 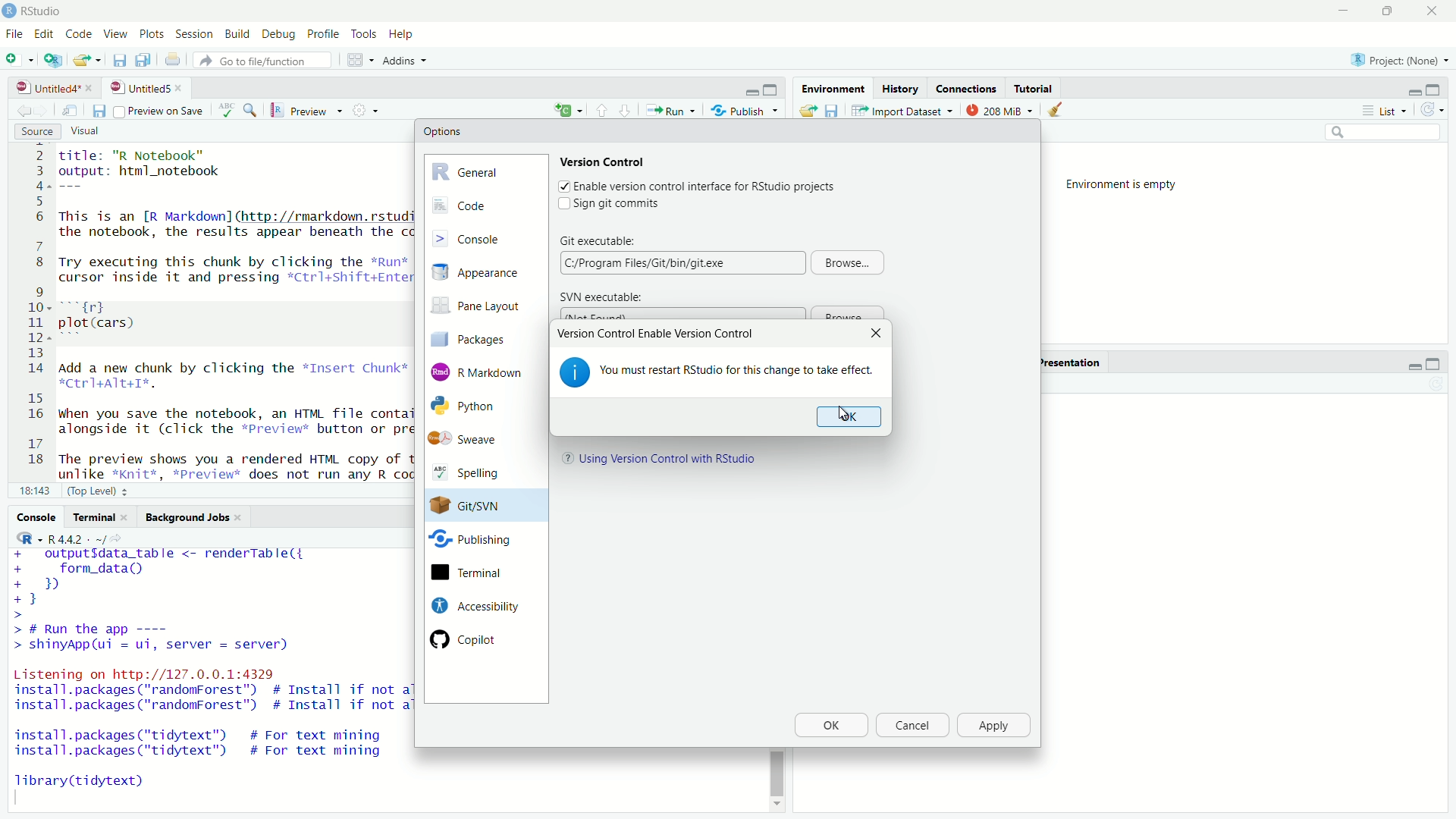 What do you see at coordinates (562, 186) in the screenshot?
I see `check box` at bounding box center [562, 186].